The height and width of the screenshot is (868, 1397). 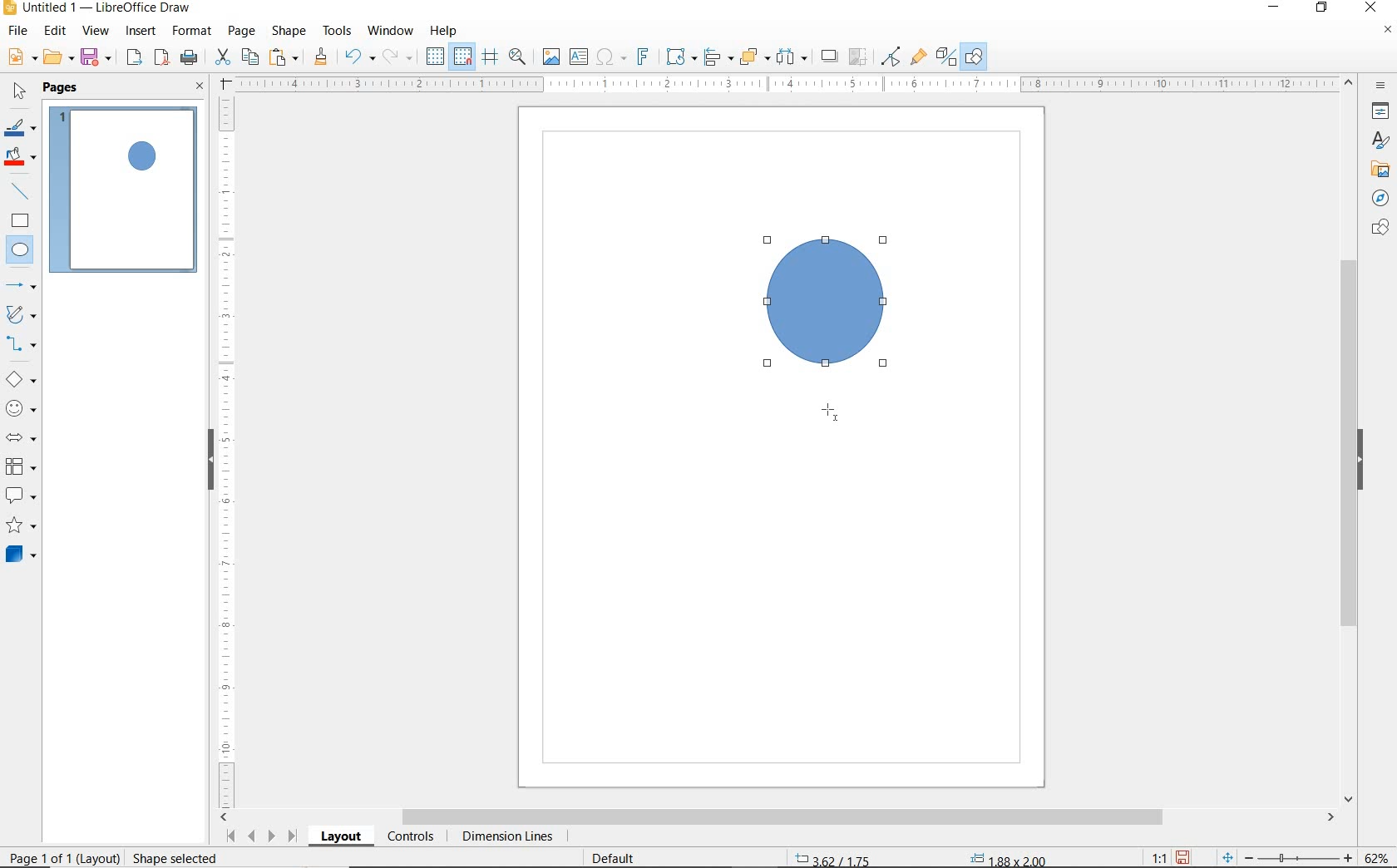 I want to click on PAGE, so click(x=241, y=31).